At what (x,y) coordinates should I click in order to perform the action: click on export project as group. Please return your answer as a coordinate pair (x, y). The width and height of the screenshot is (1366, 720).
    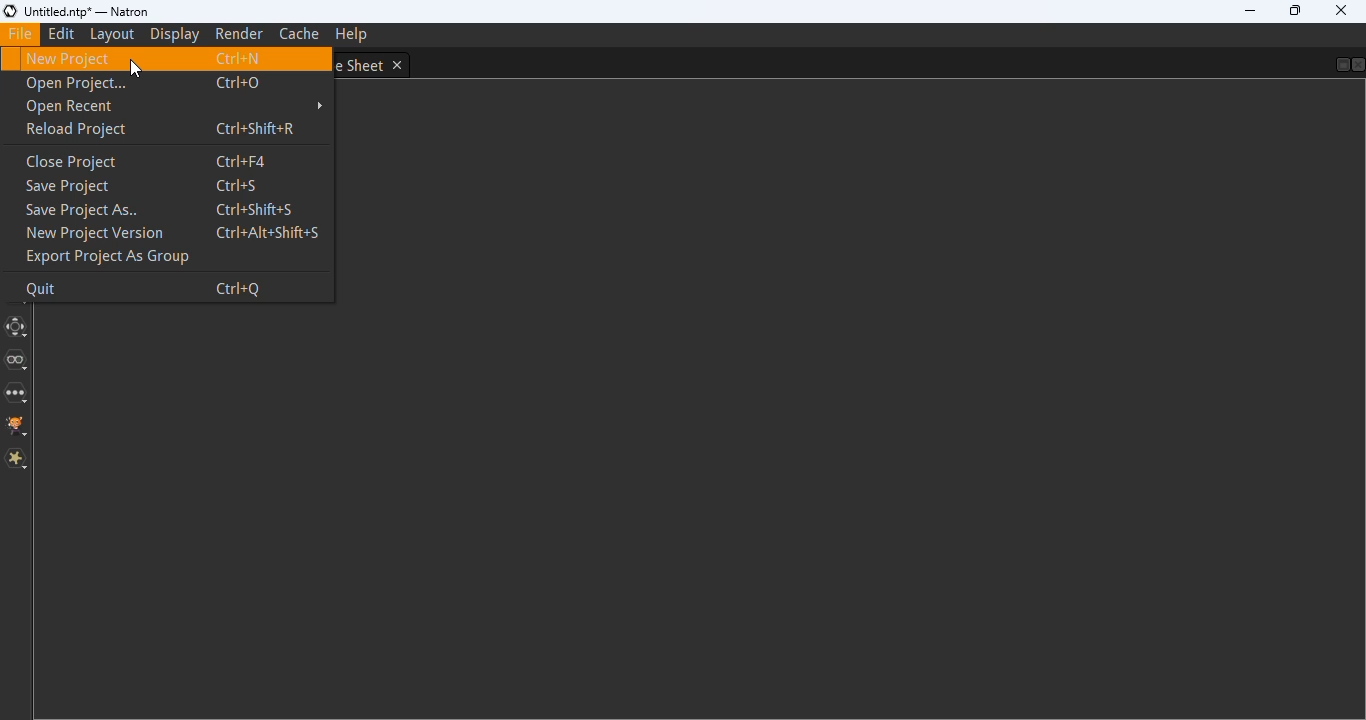
    Looking at the image, I should click on (176, 258).